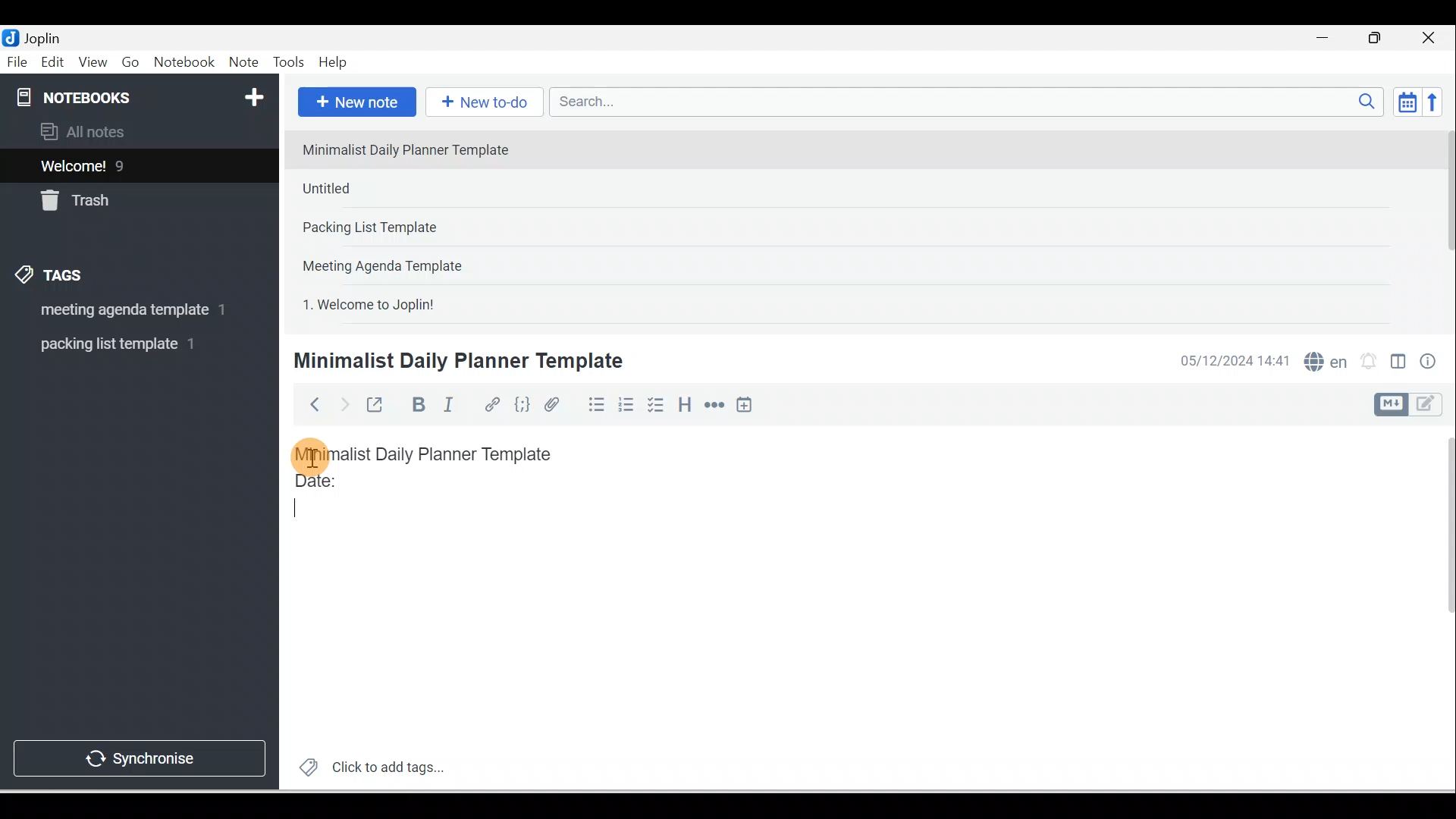  I want to click on Minimalist Daily Planner Template, so click(456, 361).